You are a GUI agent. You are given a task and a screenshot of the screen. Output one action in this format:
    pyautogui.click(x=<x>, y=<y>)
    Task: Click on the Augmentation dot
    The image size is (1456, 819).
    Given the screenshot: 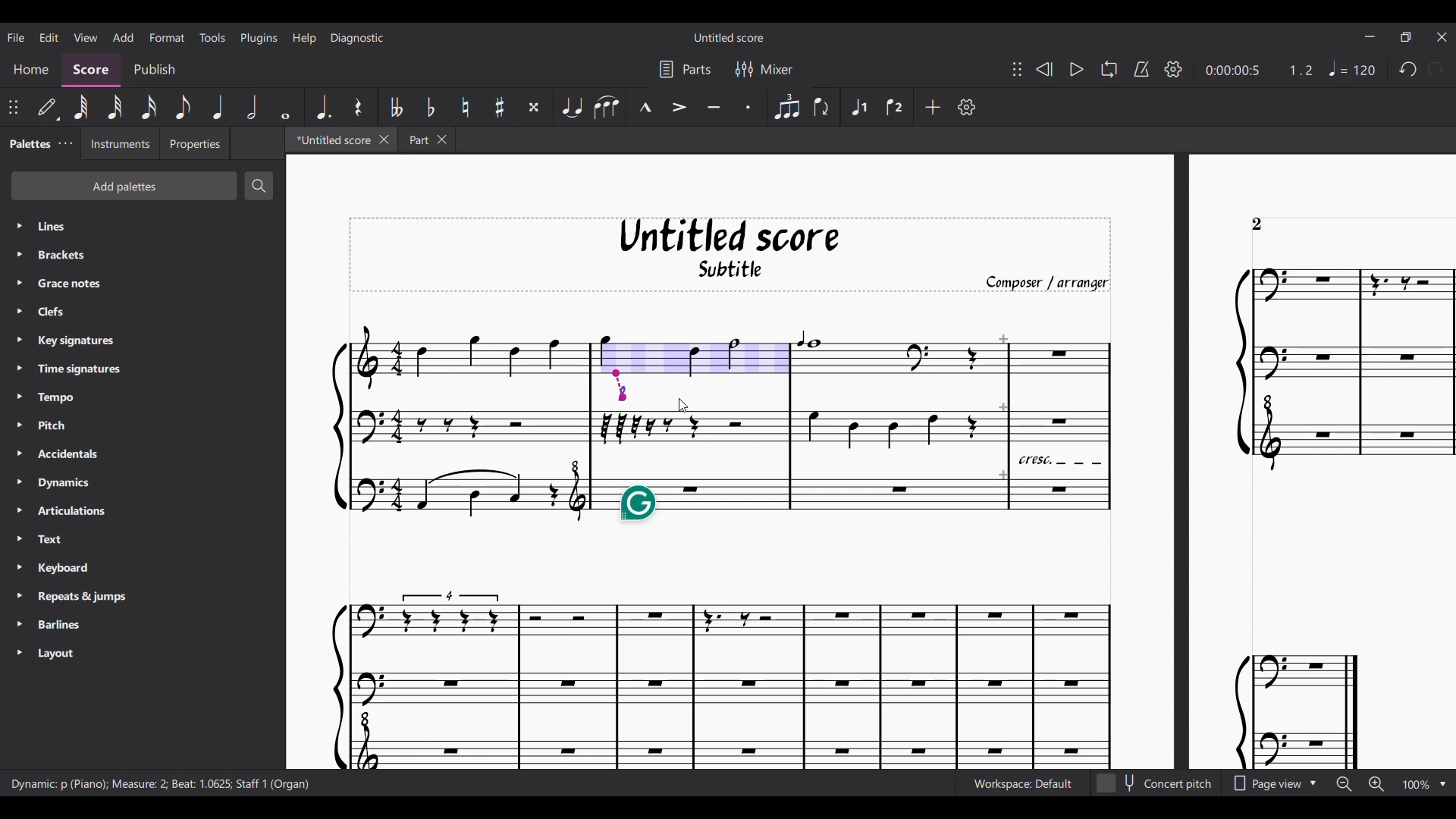 What is the action you would take?
    pyautogui.click(x=322, y=106)
    